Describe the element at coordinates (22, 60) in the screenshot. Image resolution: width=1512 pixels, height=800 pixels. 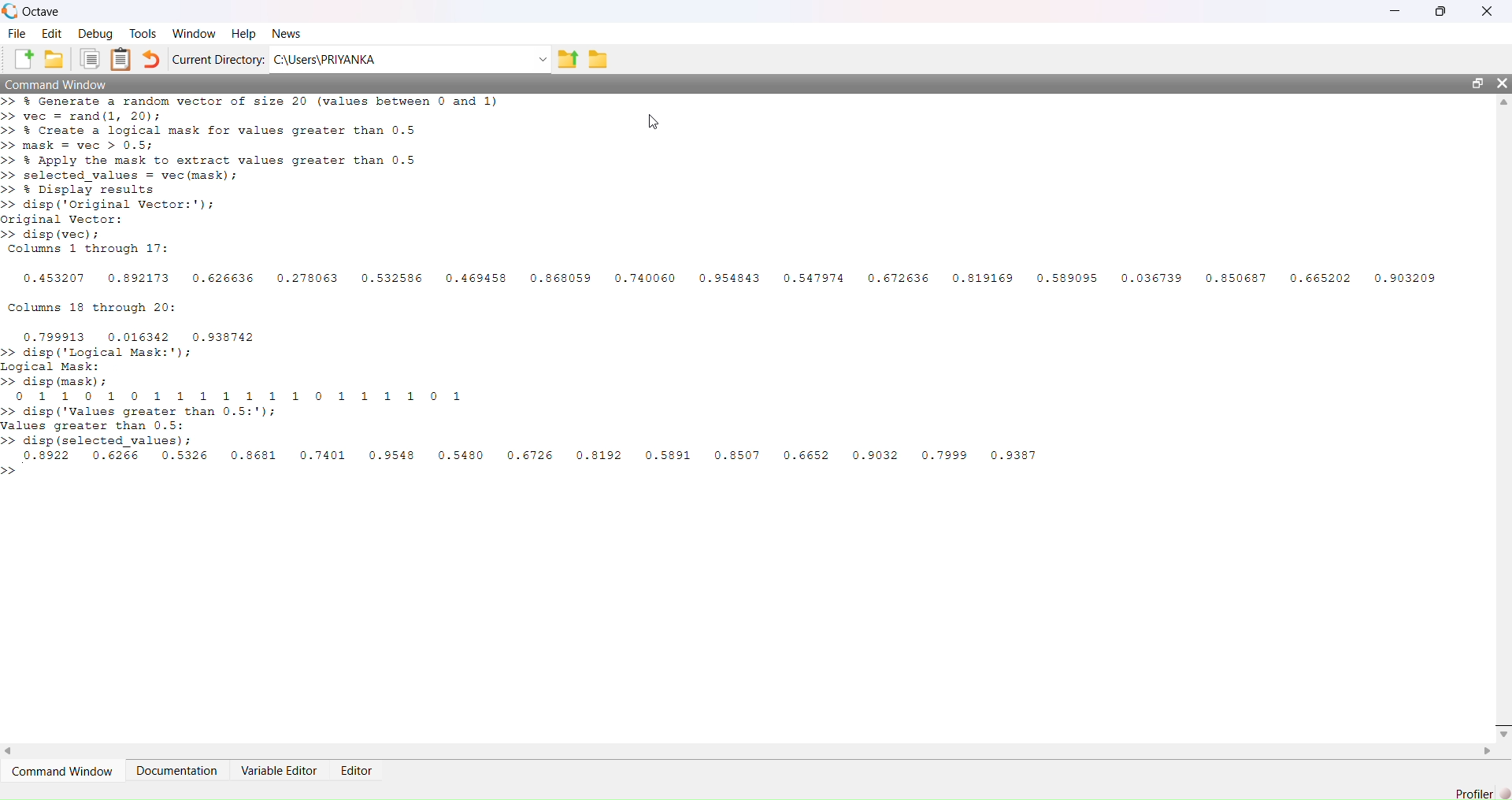
I see `Create a file` at that location.